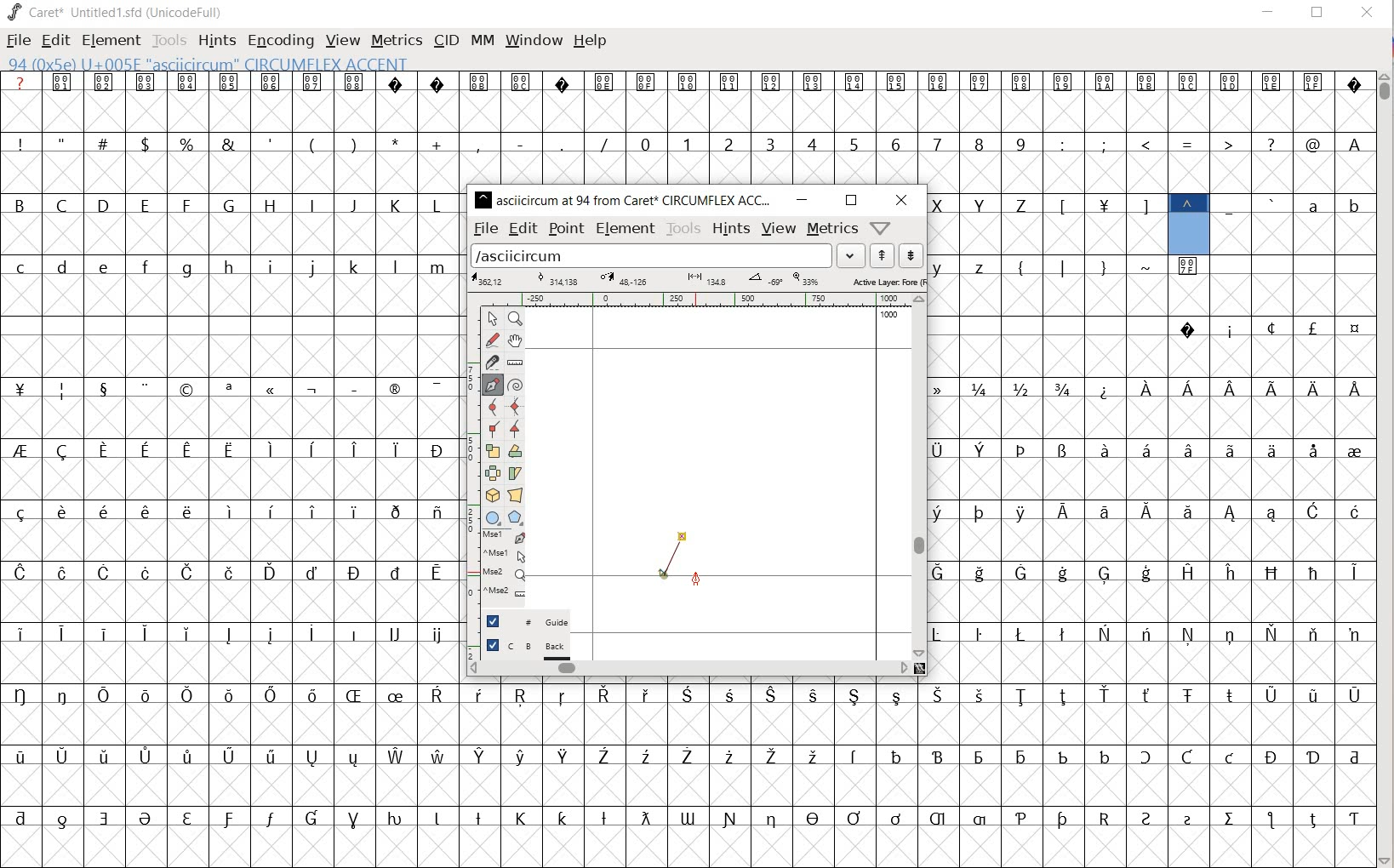  I want to click on edit, so click(523, 229).